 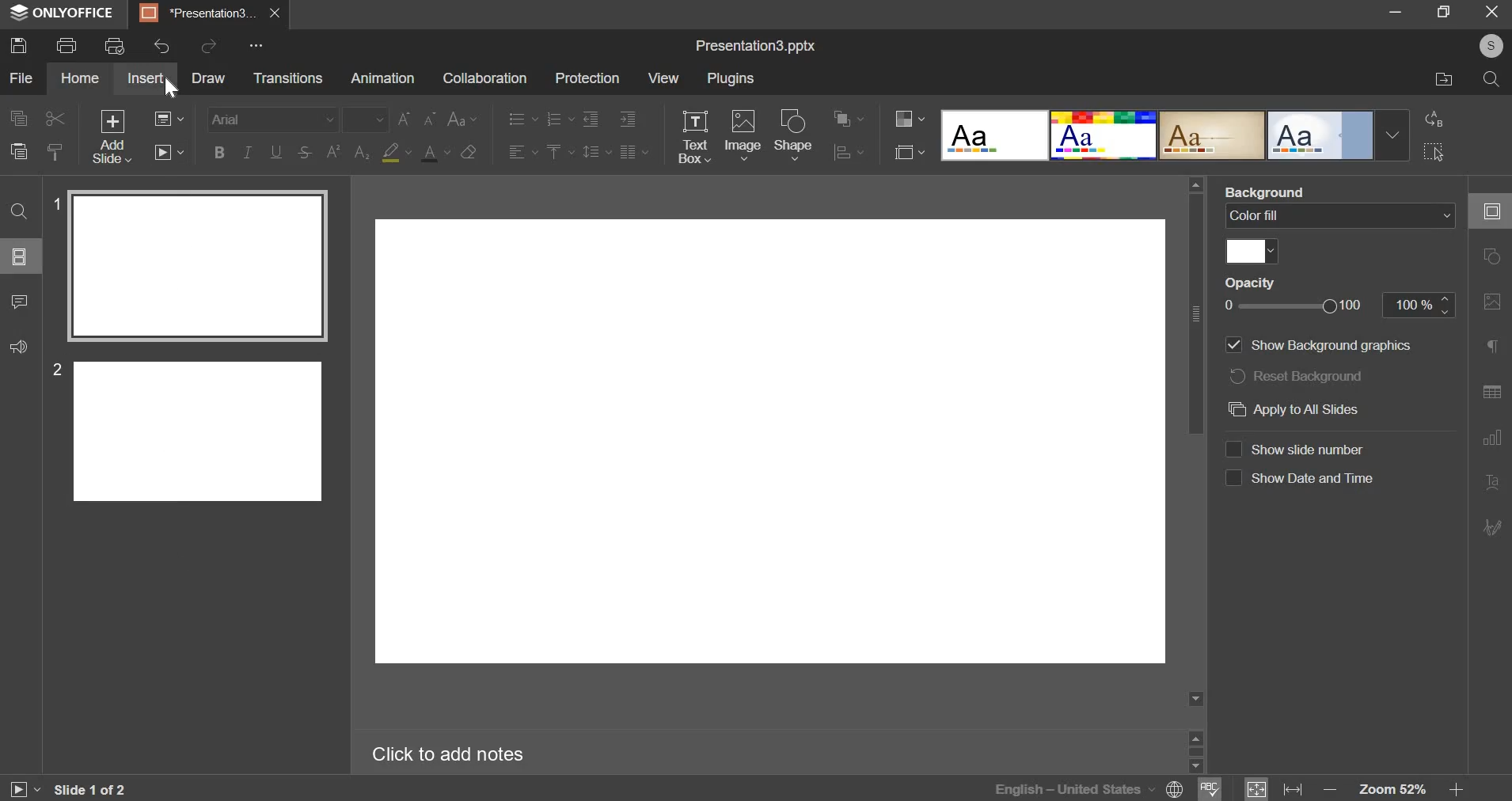 I want to click on scroll down, so click(x=1195, y=766).